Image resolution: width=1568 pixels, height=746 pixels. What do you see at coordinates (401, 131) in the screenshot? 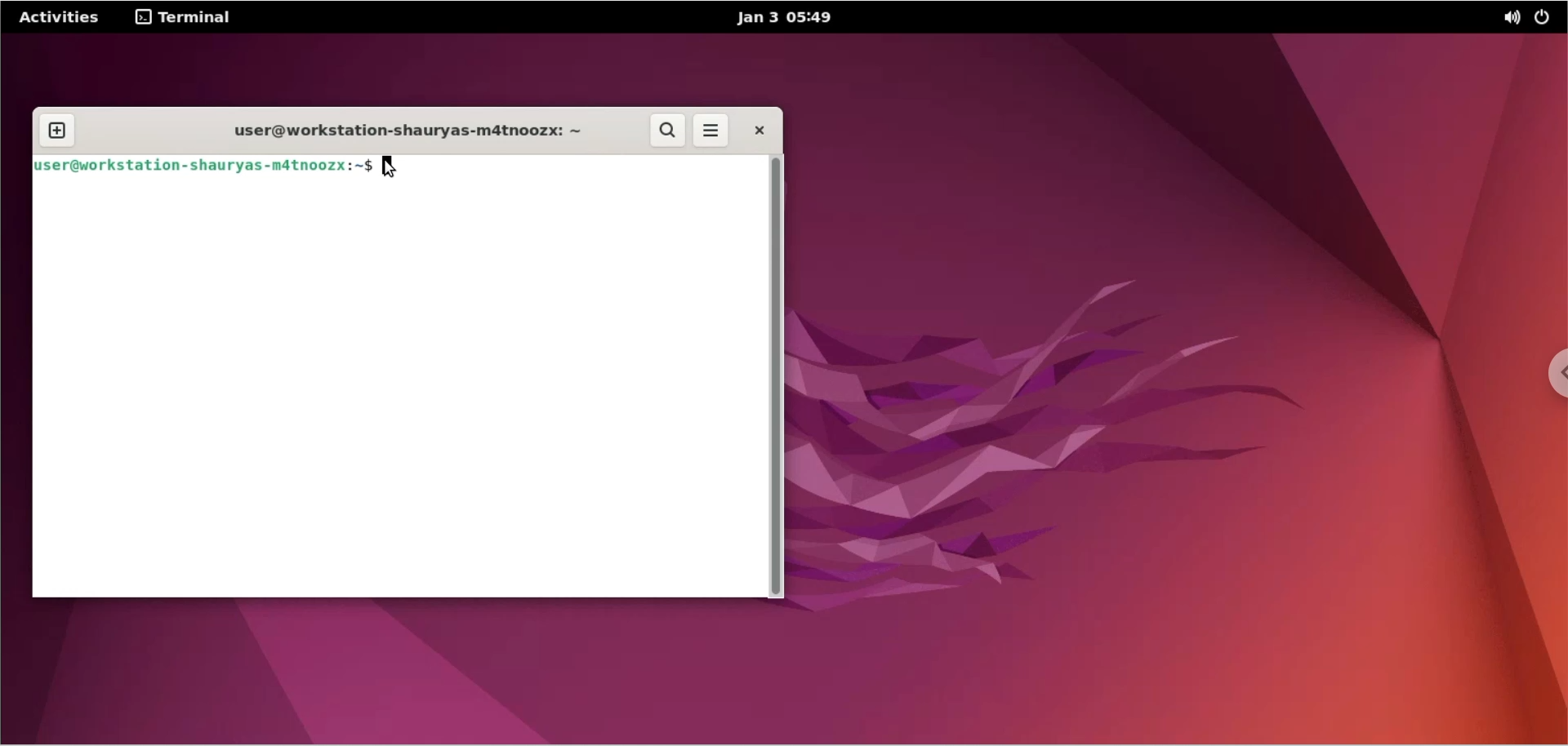
I see `workstation name` at bounding box center [401, 131].